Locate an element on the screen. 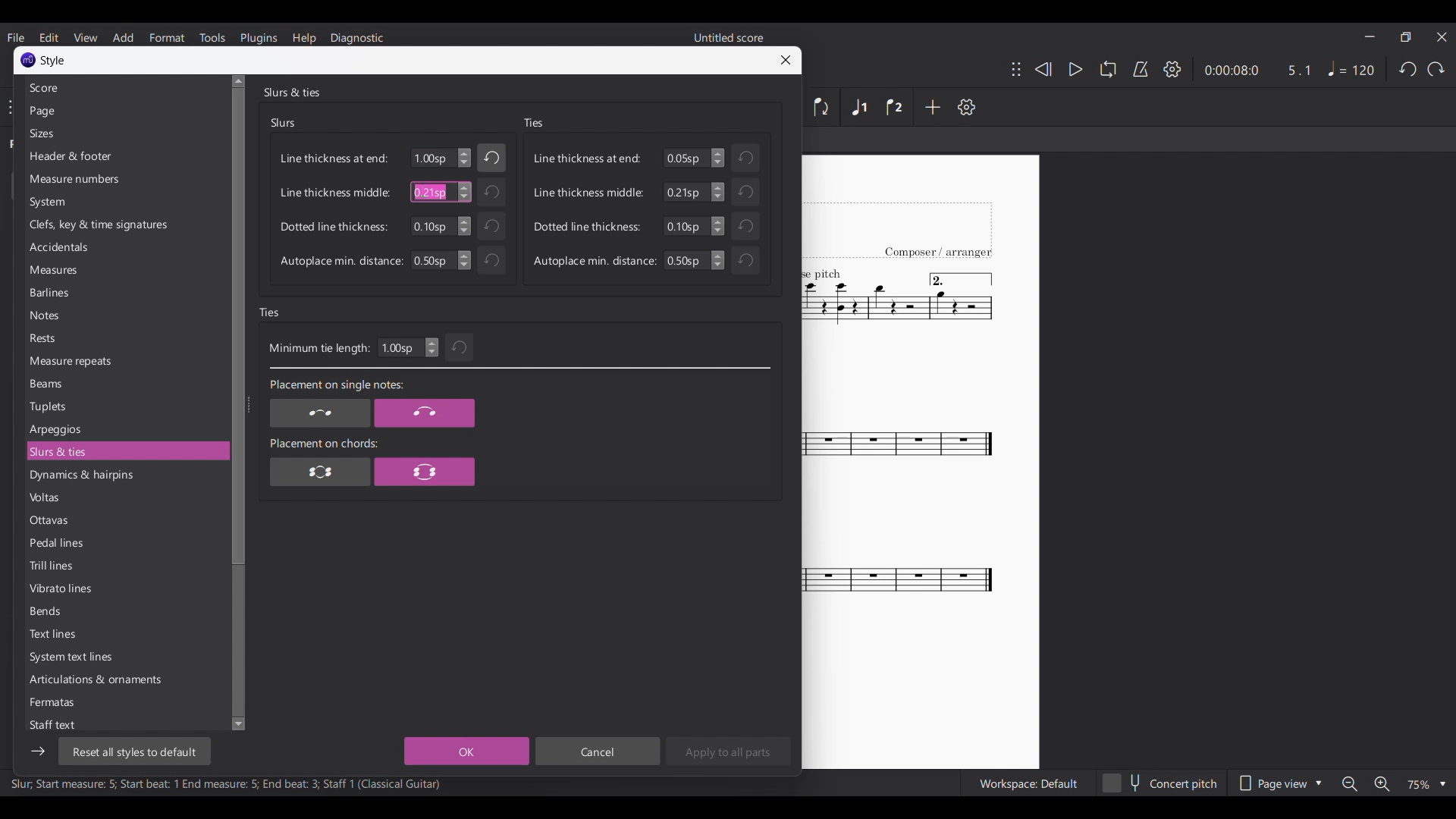 The height and width of the screenshot is (819, 1456). Accidentals is located at coordinates (124, 247).